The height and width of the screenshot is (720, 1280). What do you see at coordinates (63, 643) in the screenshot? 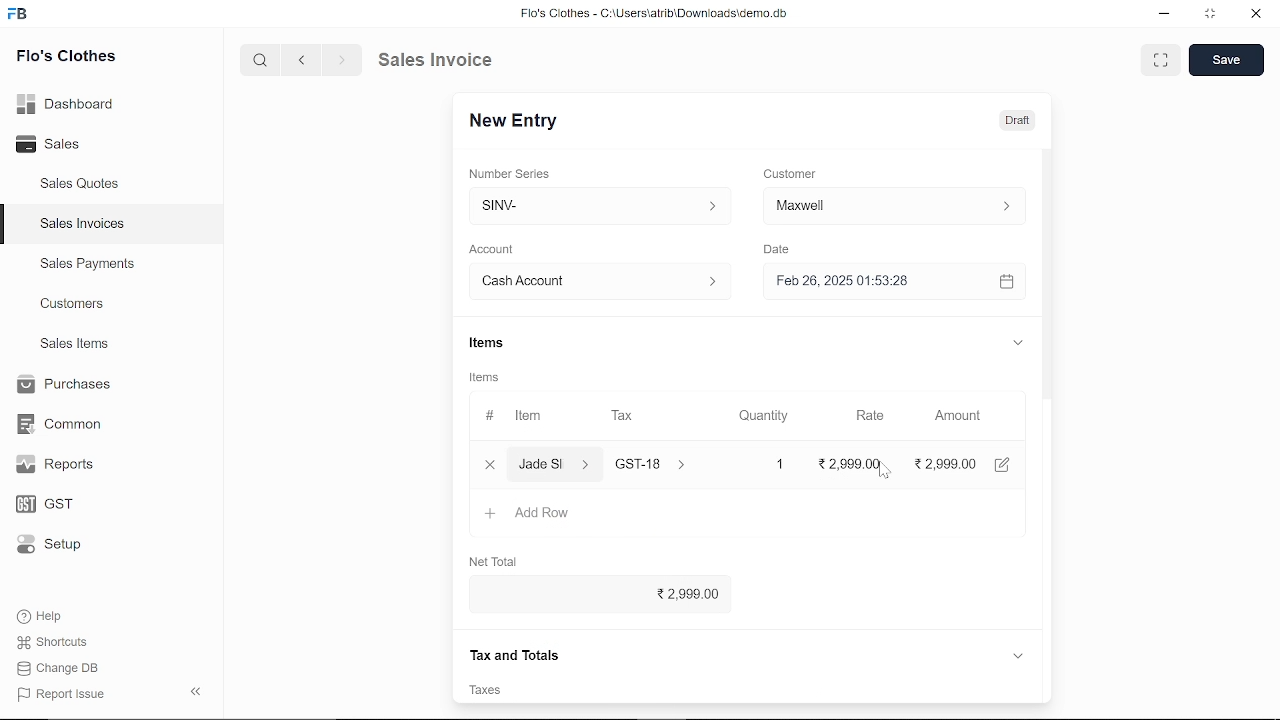
I see `Shortcuts` at bounding box center [63, 643].